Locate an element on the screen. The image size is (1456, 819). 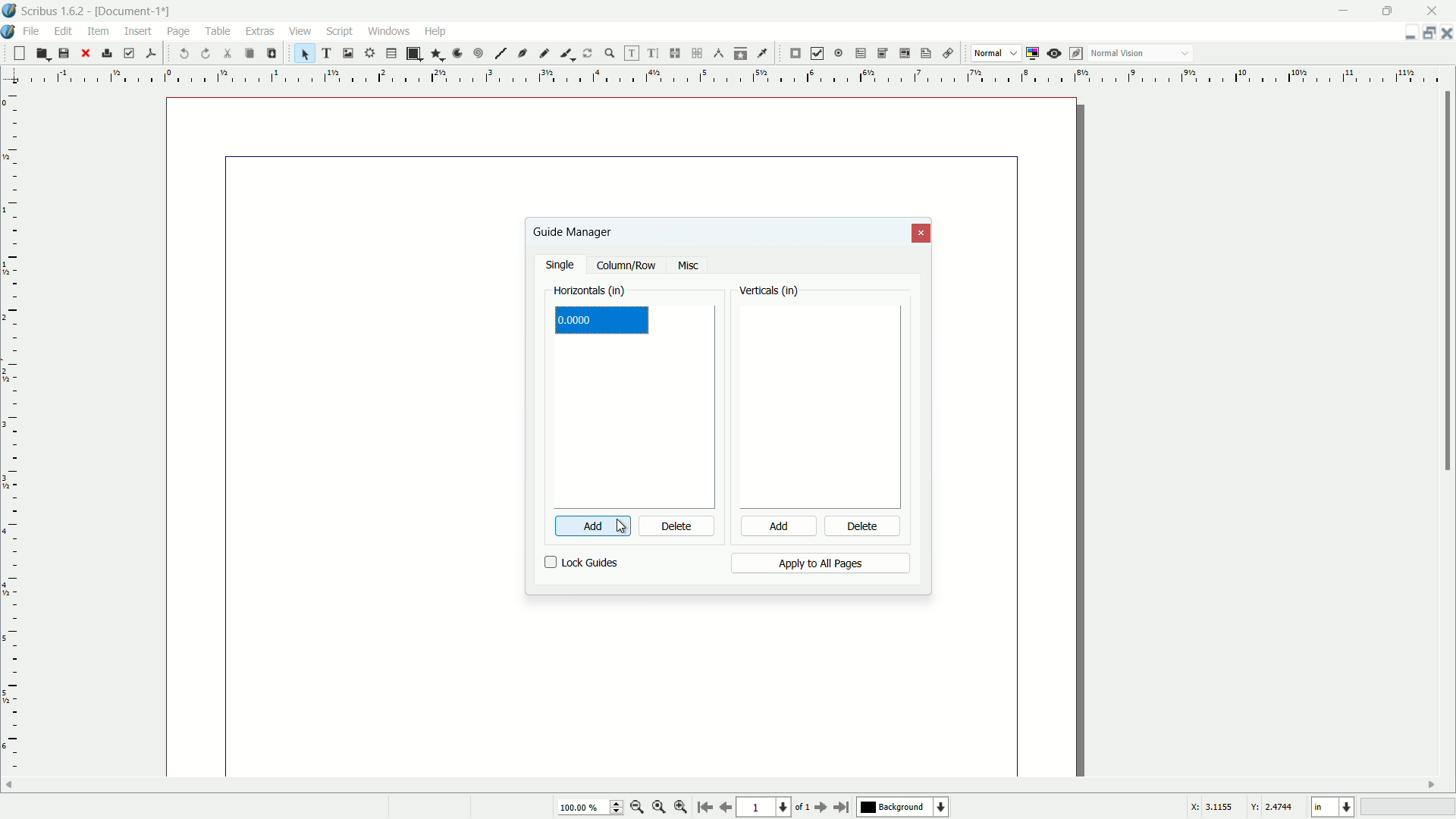
text annotation is located at coordinates (924, 54).